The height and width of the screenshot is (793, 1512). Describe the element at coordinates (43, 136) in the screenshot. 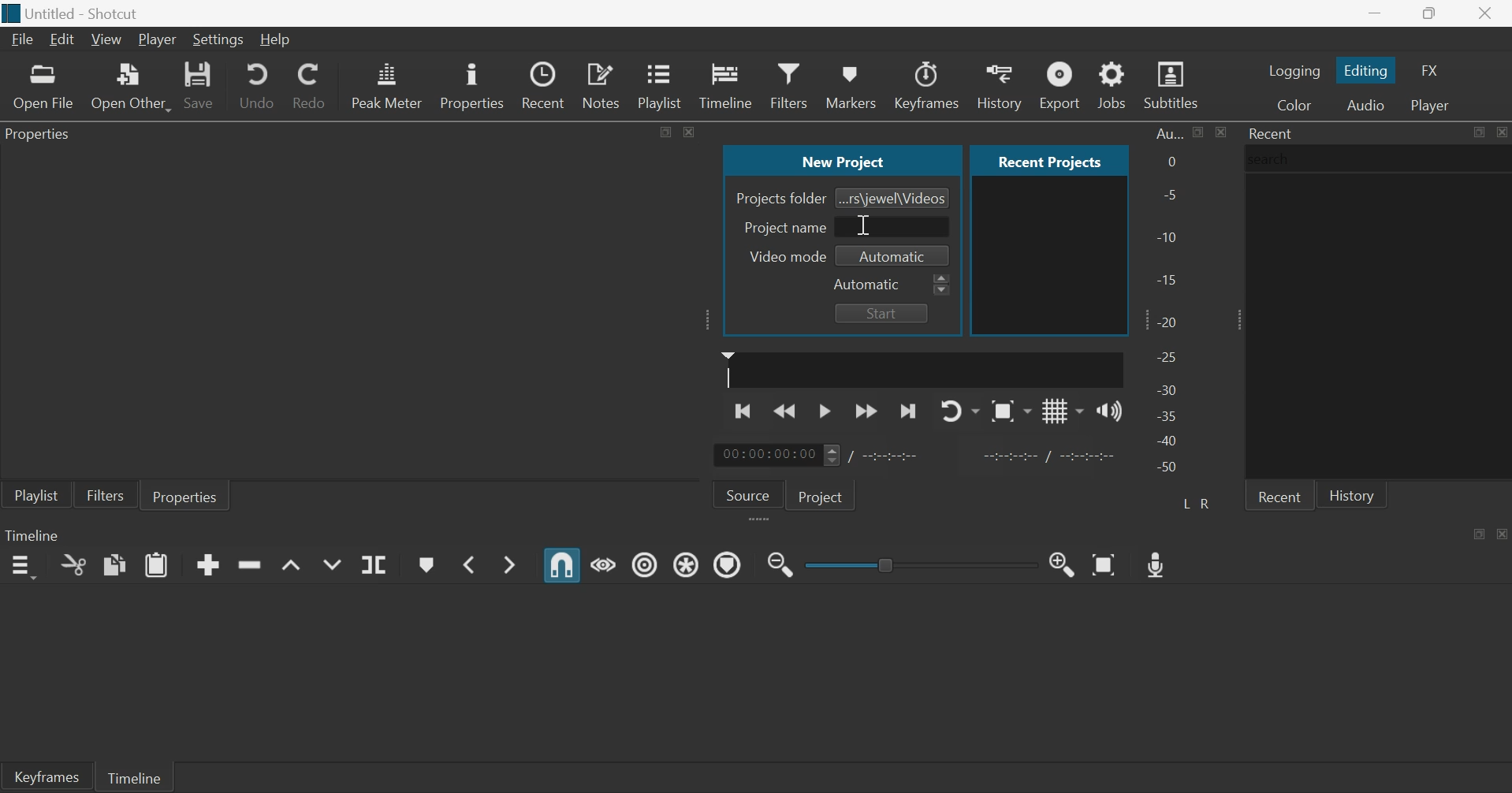

I see `Properties` at that location.